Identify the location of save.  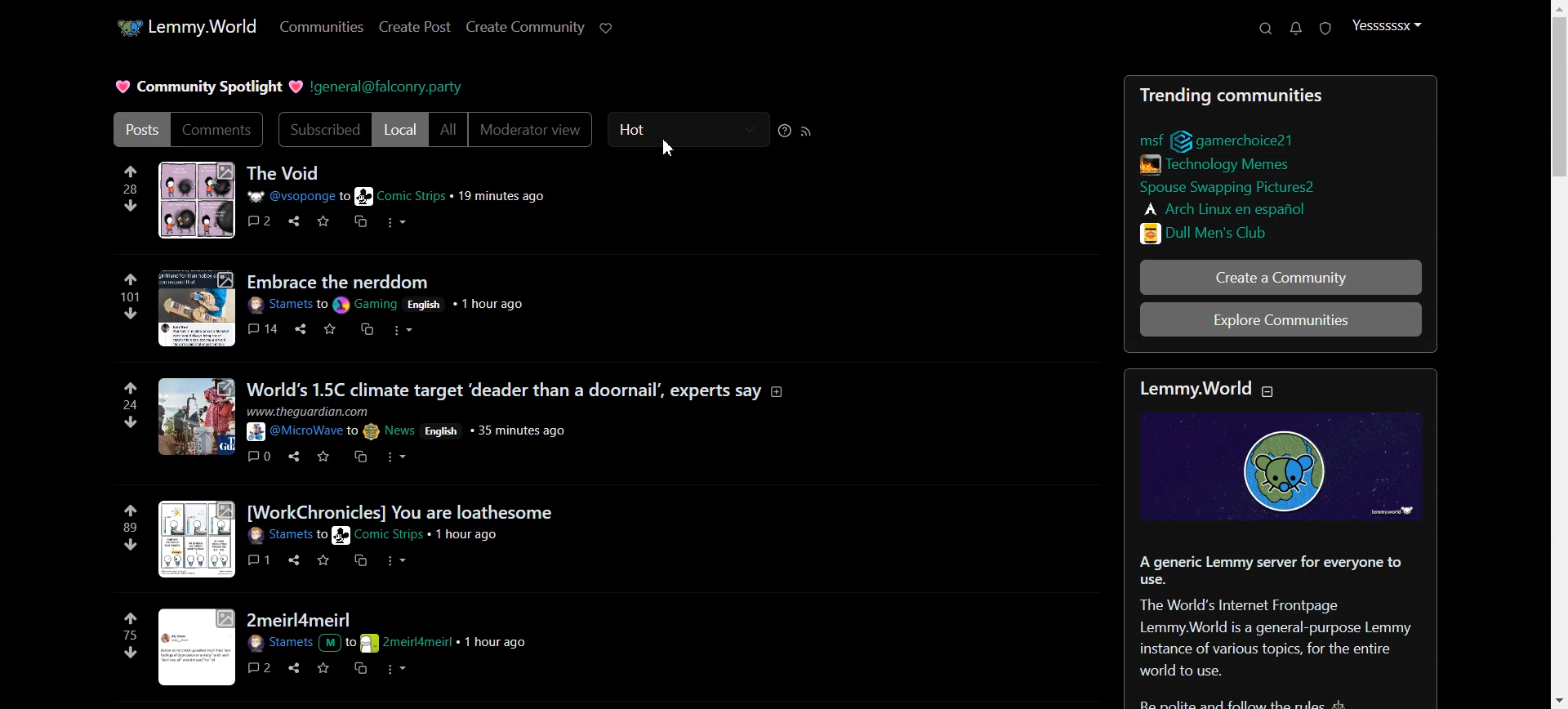
(318, 220).